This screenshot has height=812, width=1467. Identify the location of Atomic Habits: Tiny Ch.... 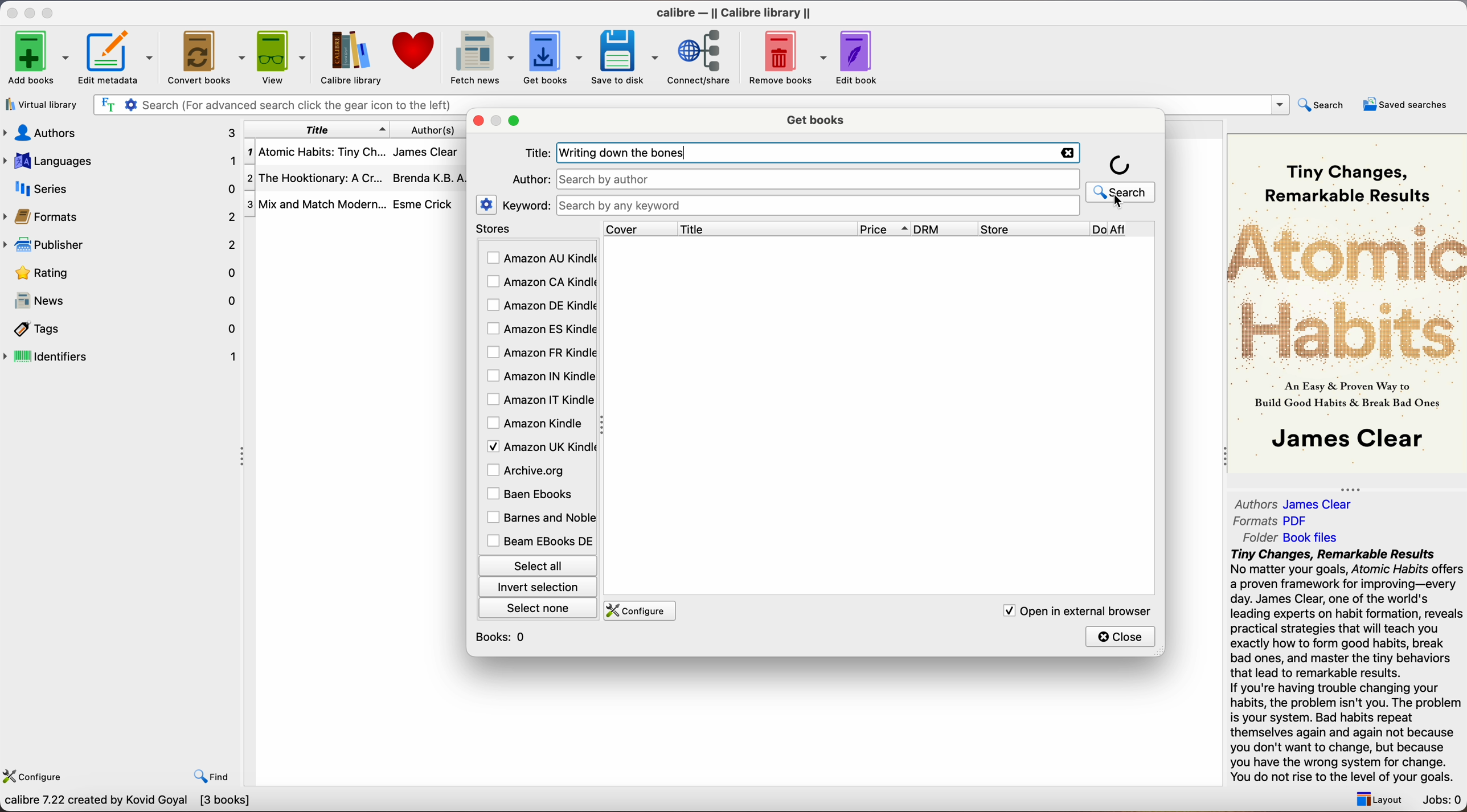
(315, 153).